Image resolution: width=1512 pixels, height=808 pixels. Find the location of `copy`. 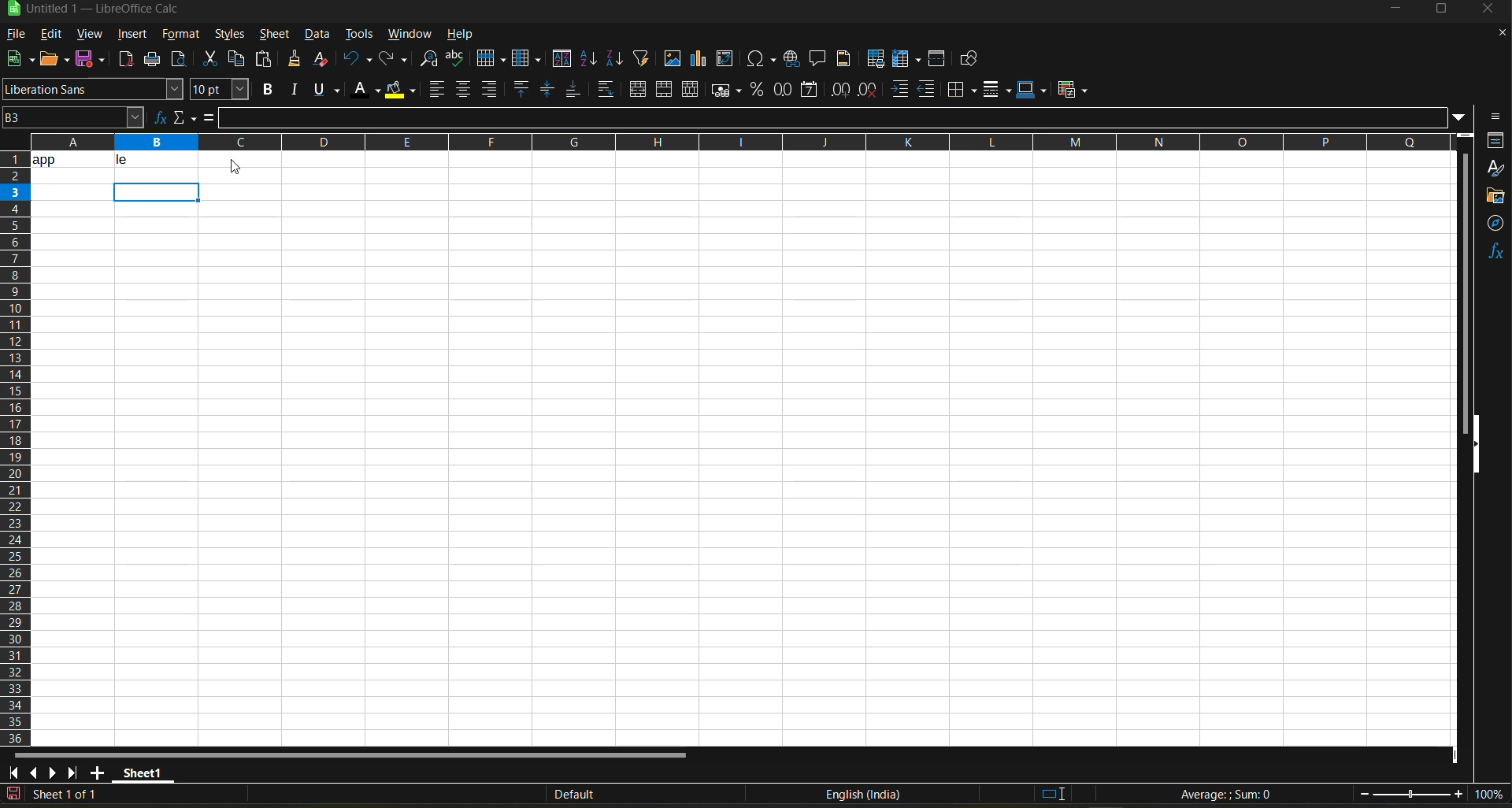

copy is located at coordinates (239, 59).